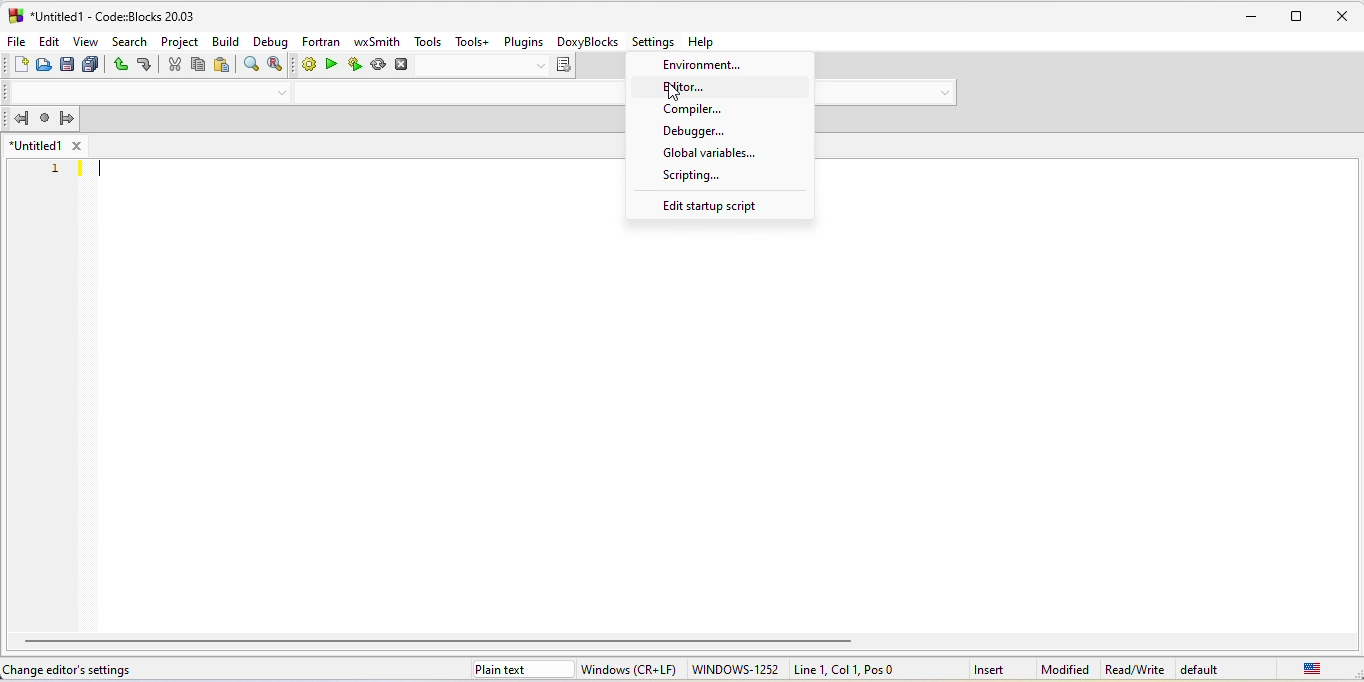 This screenshot has height=682, width=1364. Describe the element at coordinates (696, 130) in the screenshot. I see `debugger` at that location.